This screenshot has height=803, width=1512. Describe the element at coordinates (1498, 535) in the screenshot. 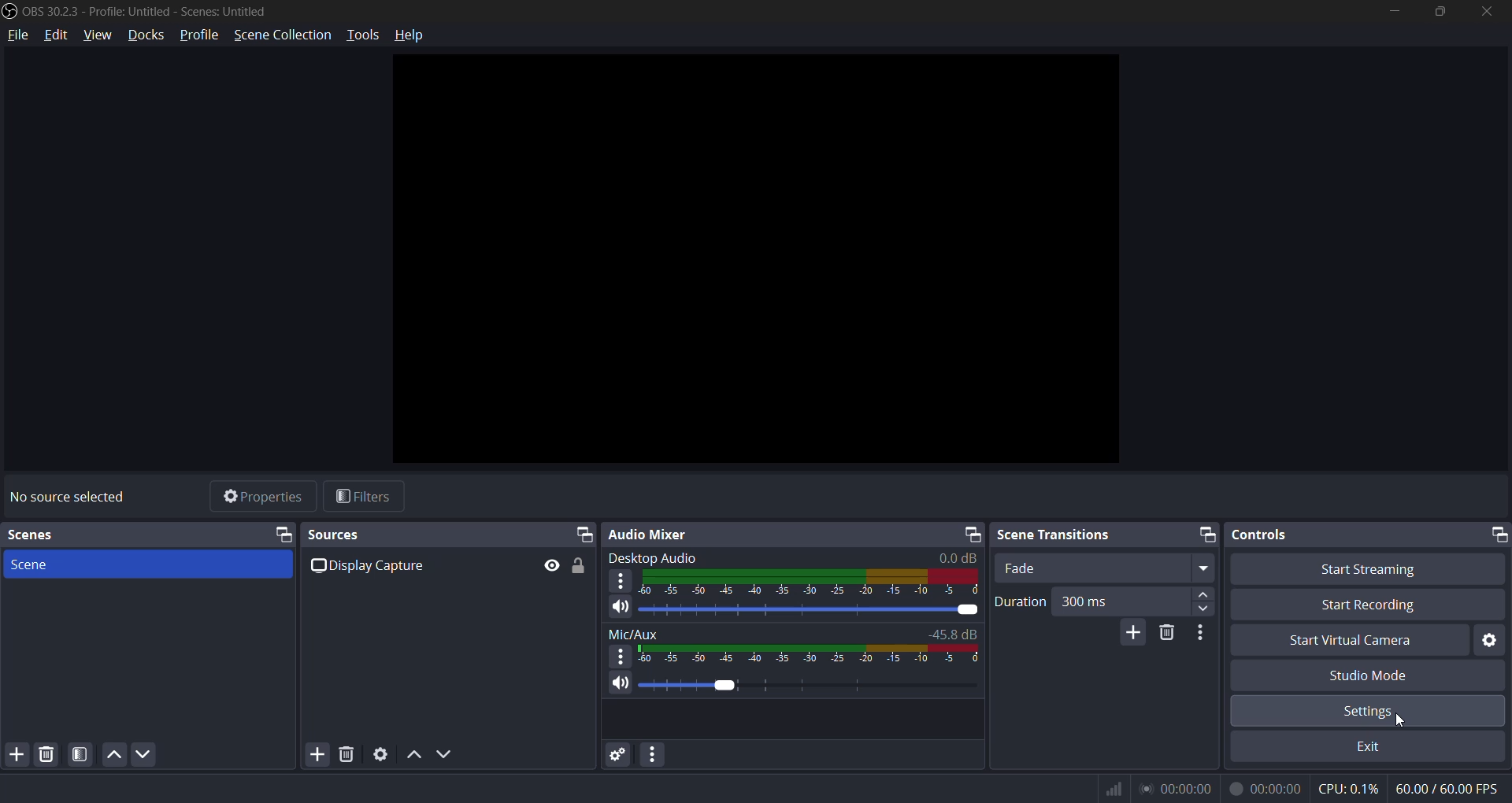

I see `float window` at that location.